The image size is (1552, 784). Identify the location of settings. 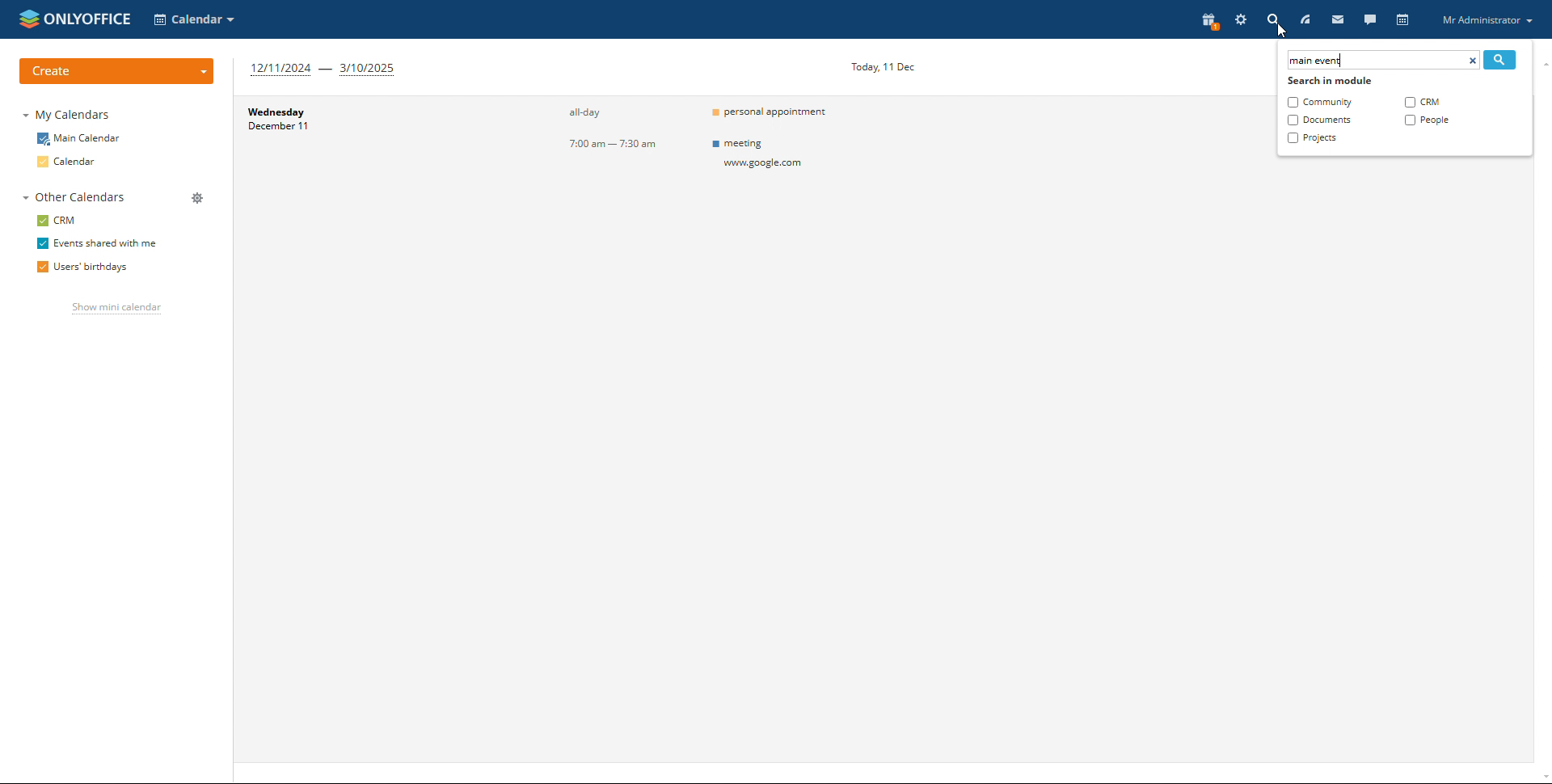
(1242, 20).